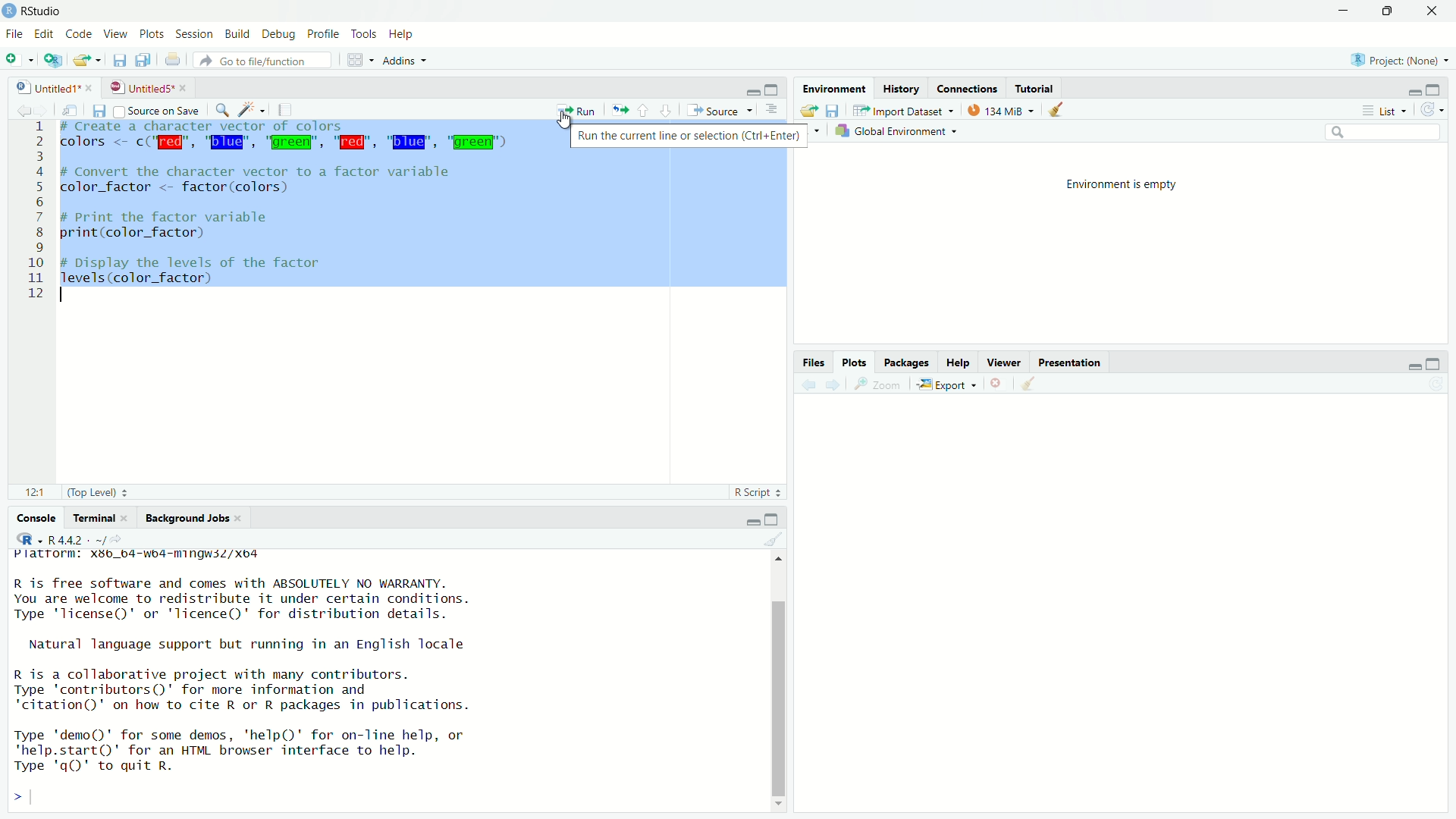 The height and width of the screenshot is (819, 1456). What do you see at coordinates (309, 598) in the screenshot?
I see `R is free software and comes with ABSOLUTELY NO WARRANTY.
You are welcome to redistribute it under certain conditions.
Type 'license()' or 'lTicence()' for distribution details.` at bounding box center [309, 598].